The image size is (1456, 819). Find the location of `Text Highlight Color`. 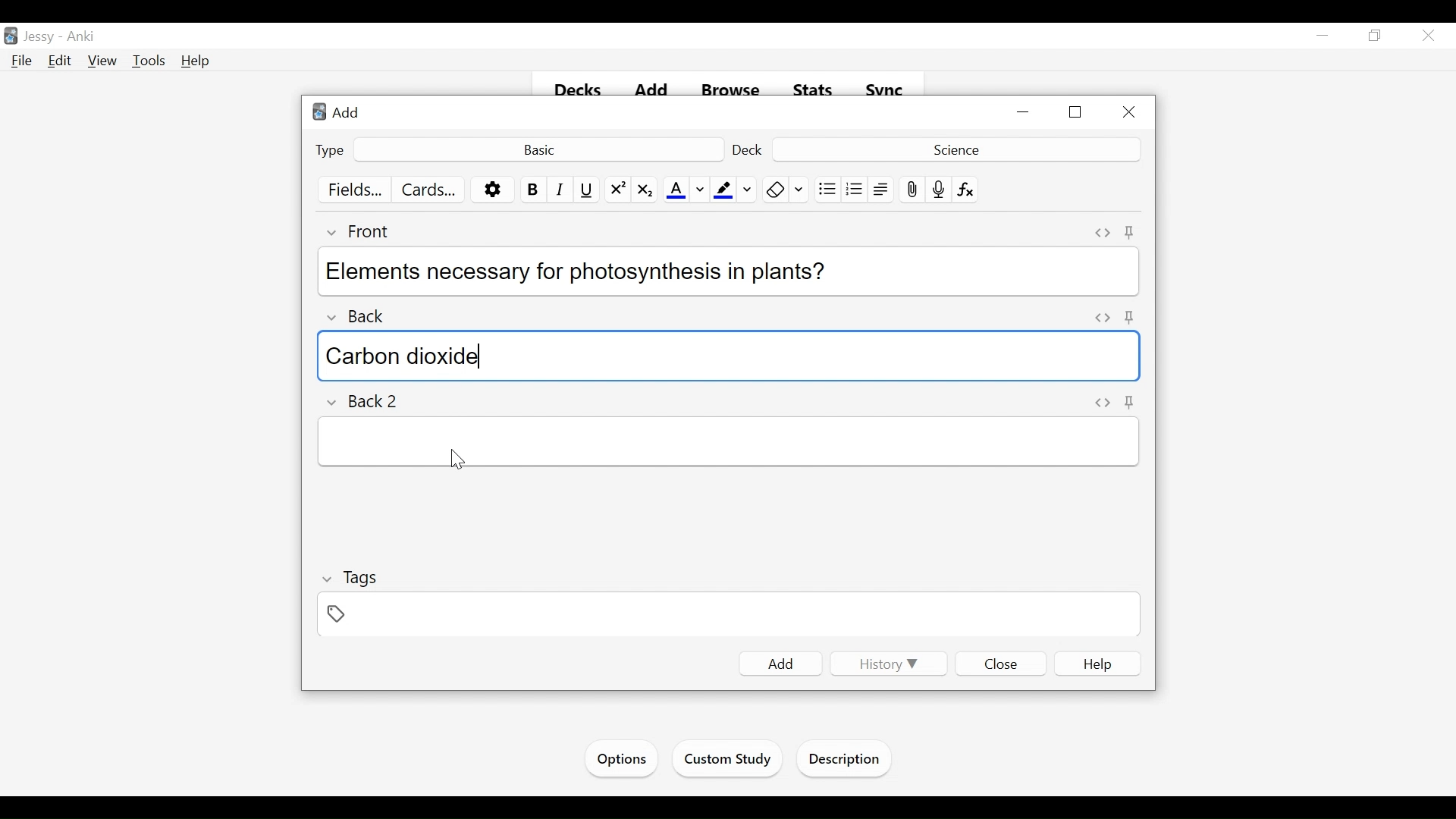

Text Highlight Color is located at coordinates (722, 190).